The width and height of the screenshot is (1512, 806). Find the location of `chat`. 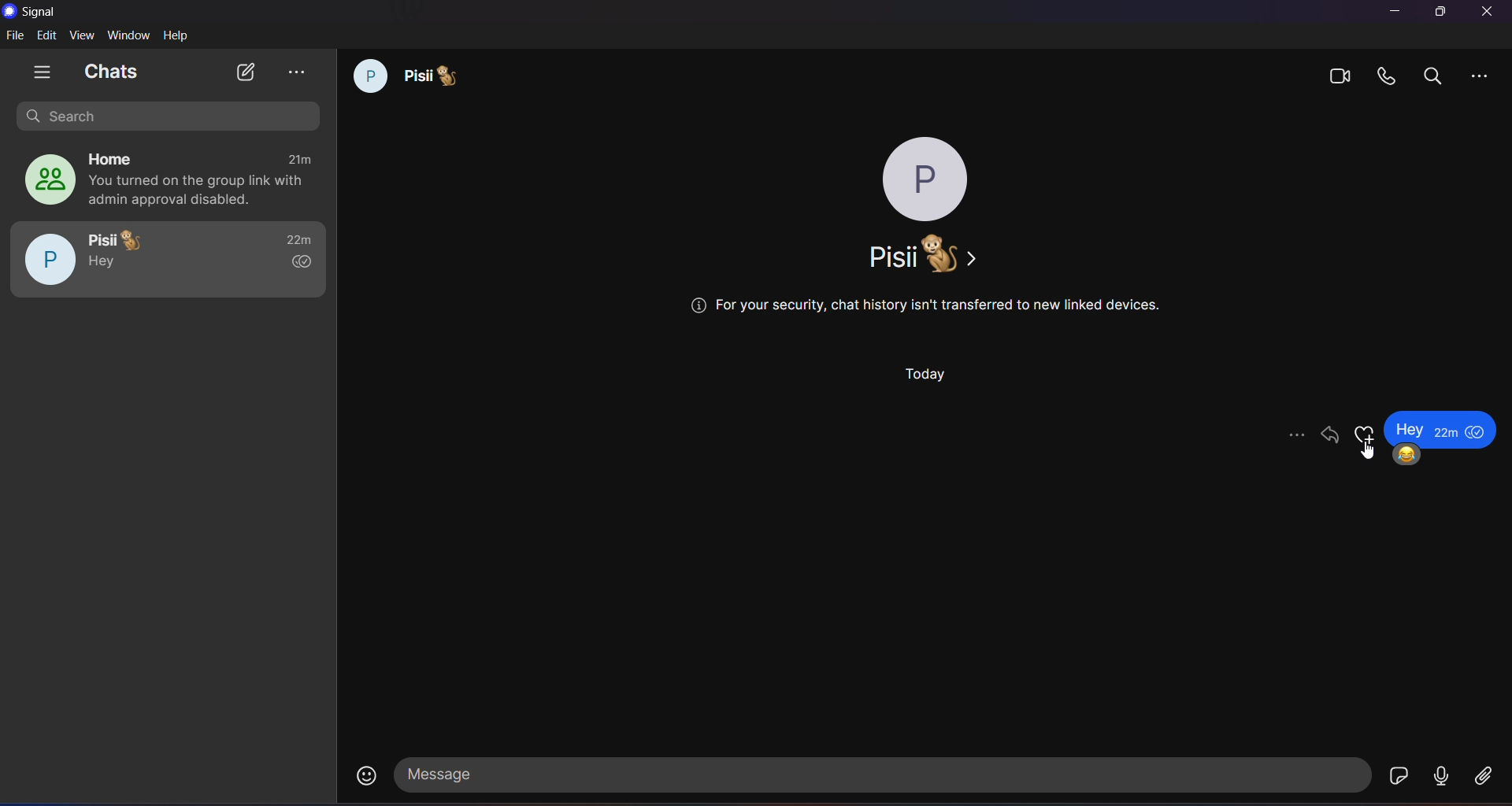

chat is located at coordinates (402, 74).